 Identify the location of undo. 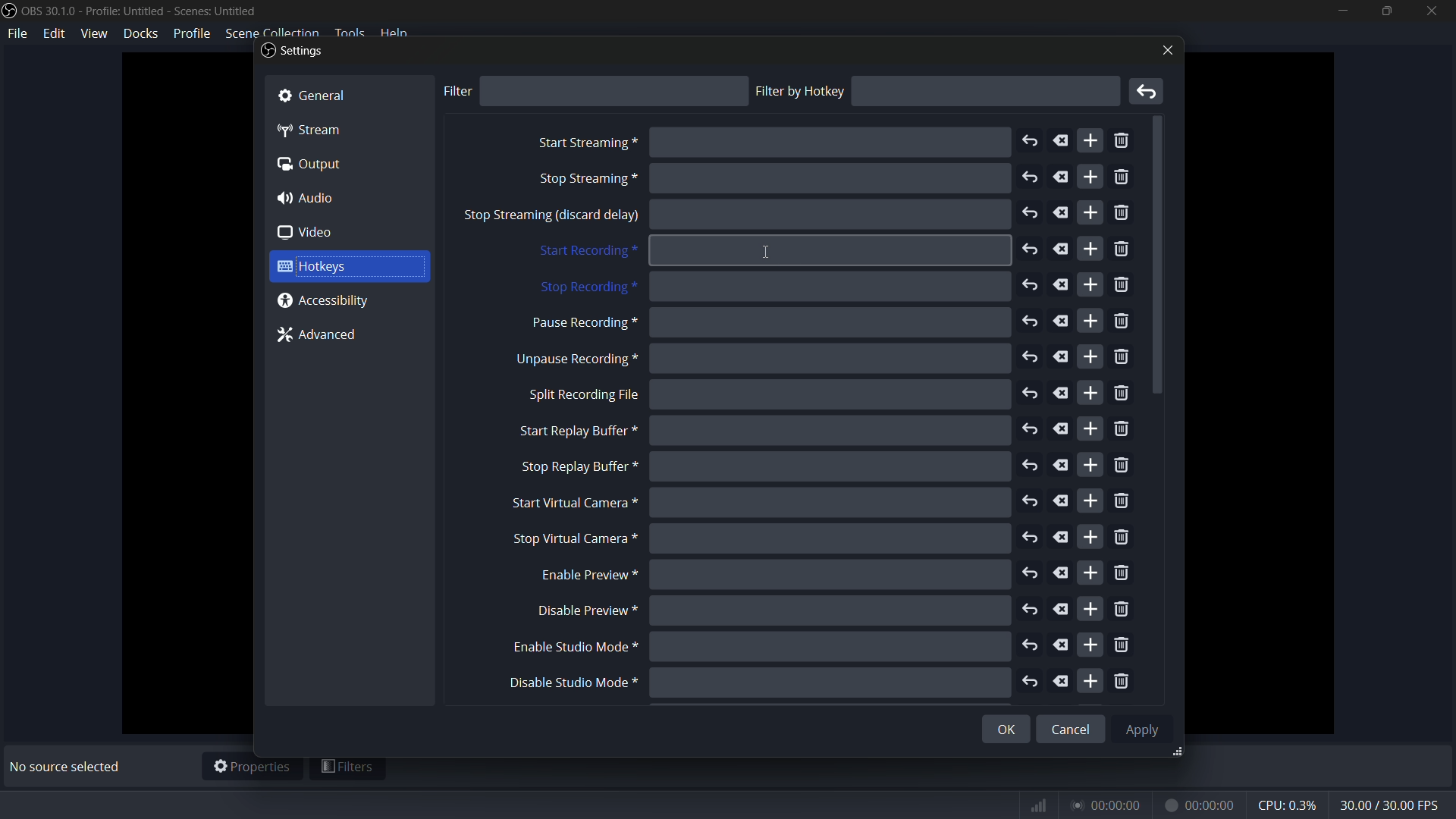
(1031, 322).